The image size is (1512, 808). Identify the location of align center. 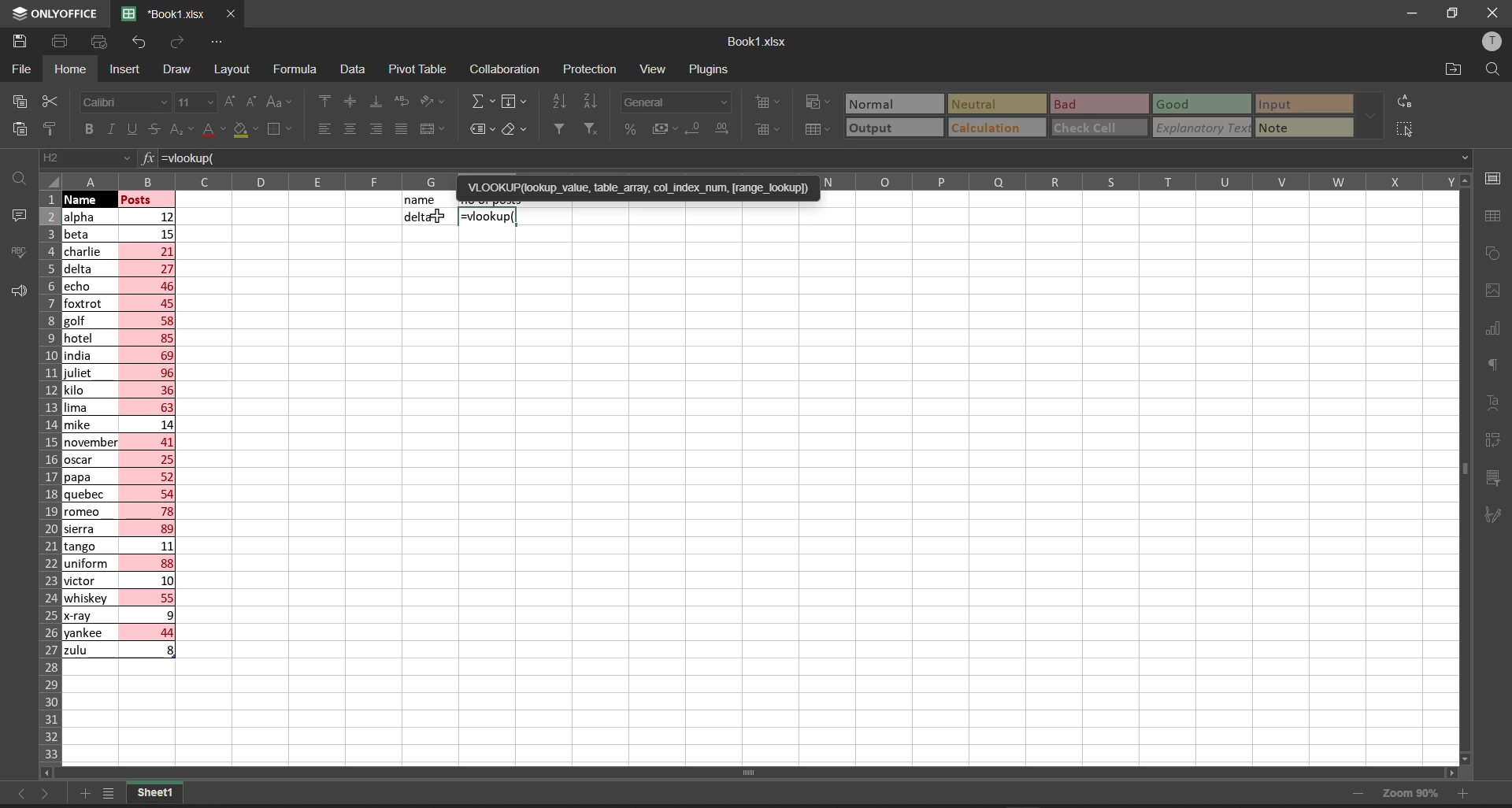
(349, 102).